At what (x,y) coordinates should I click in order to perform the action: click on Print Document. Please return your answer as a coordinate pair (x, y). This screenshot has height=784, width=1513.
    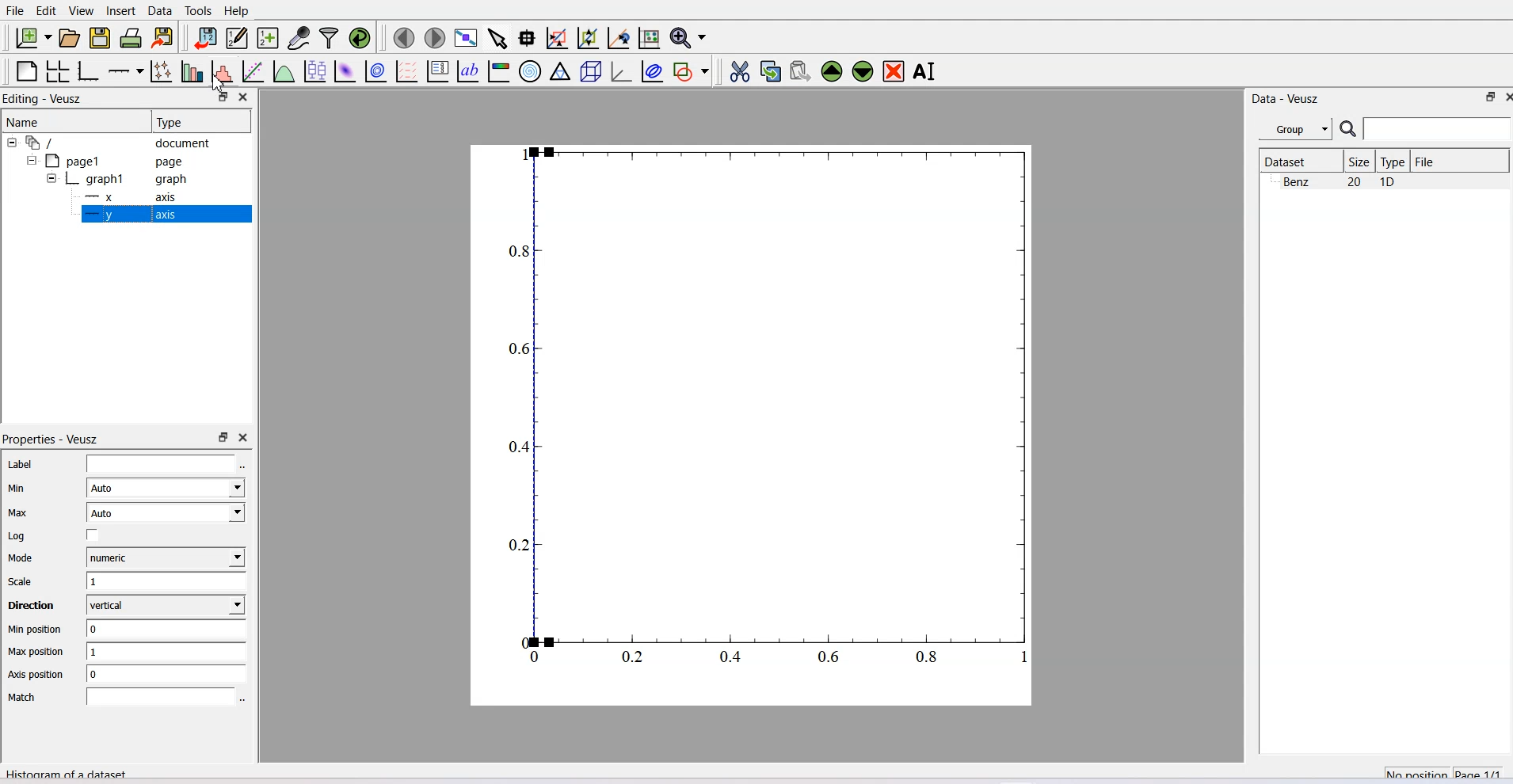
    Looking at the image, I should click on (131, 38).